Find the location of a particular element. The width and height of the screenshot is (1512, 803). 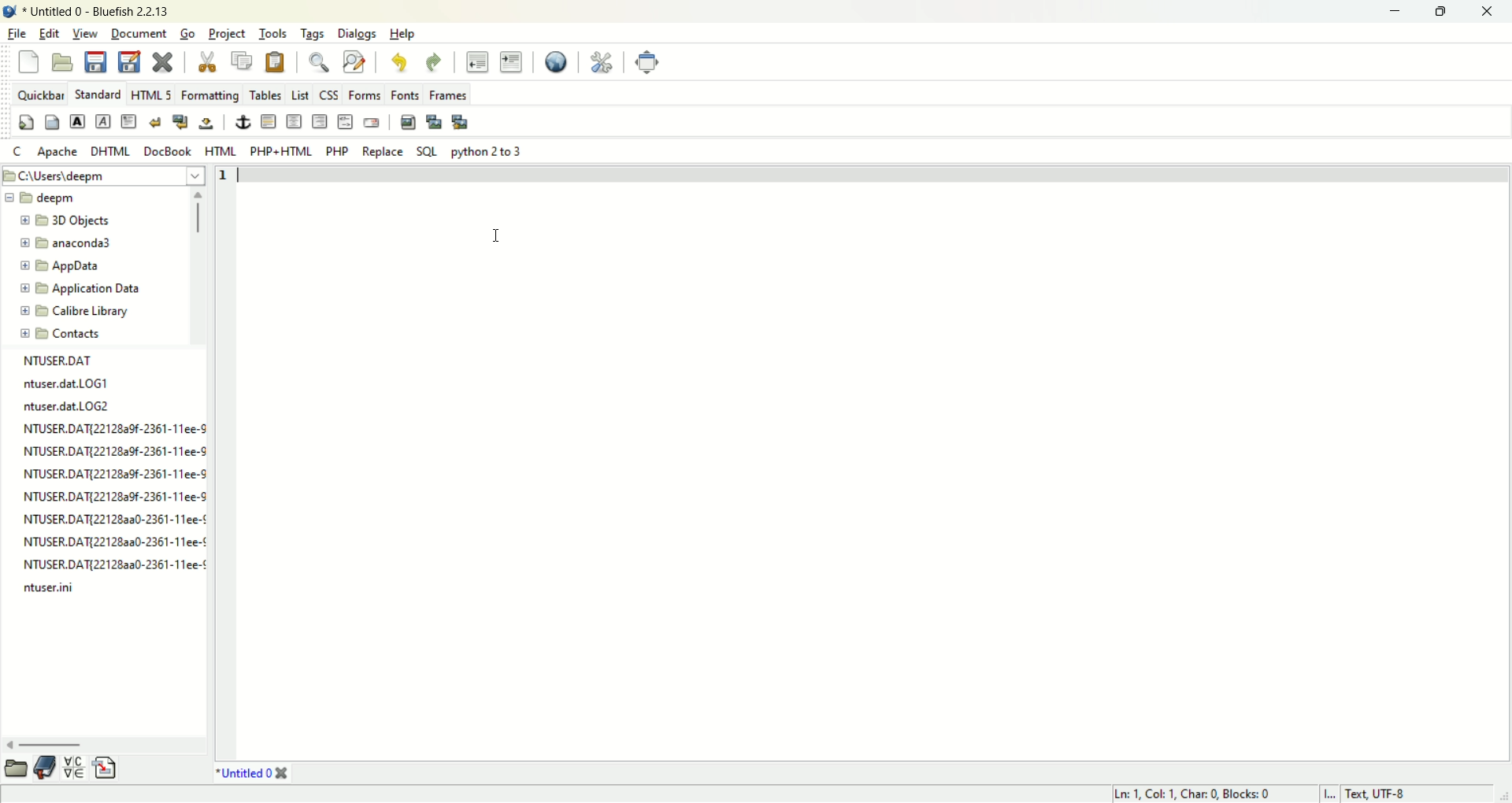

file name is located at coordinates (58, 361).